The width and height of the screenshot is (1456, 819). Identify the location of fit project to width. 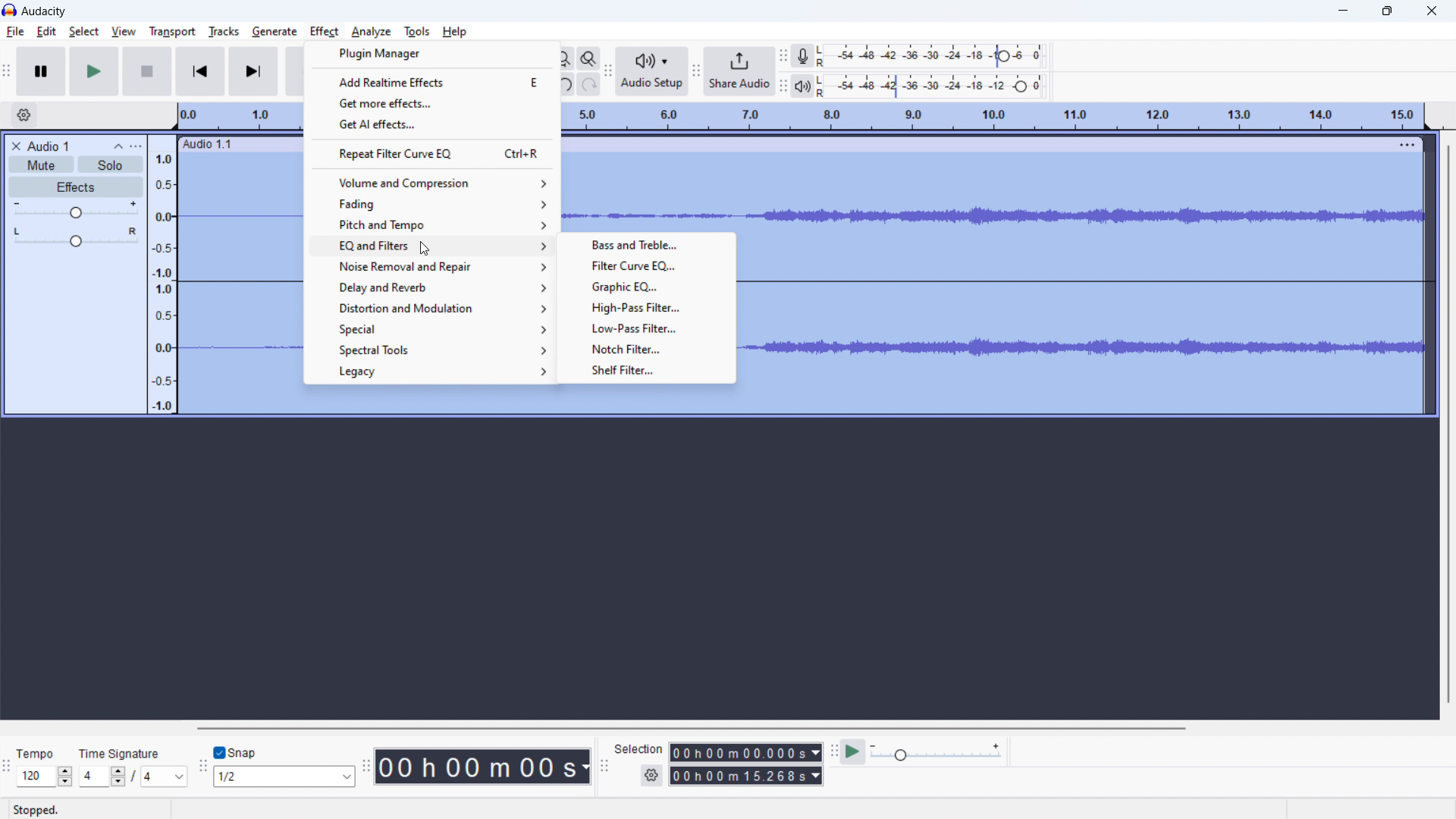
(566, 59).